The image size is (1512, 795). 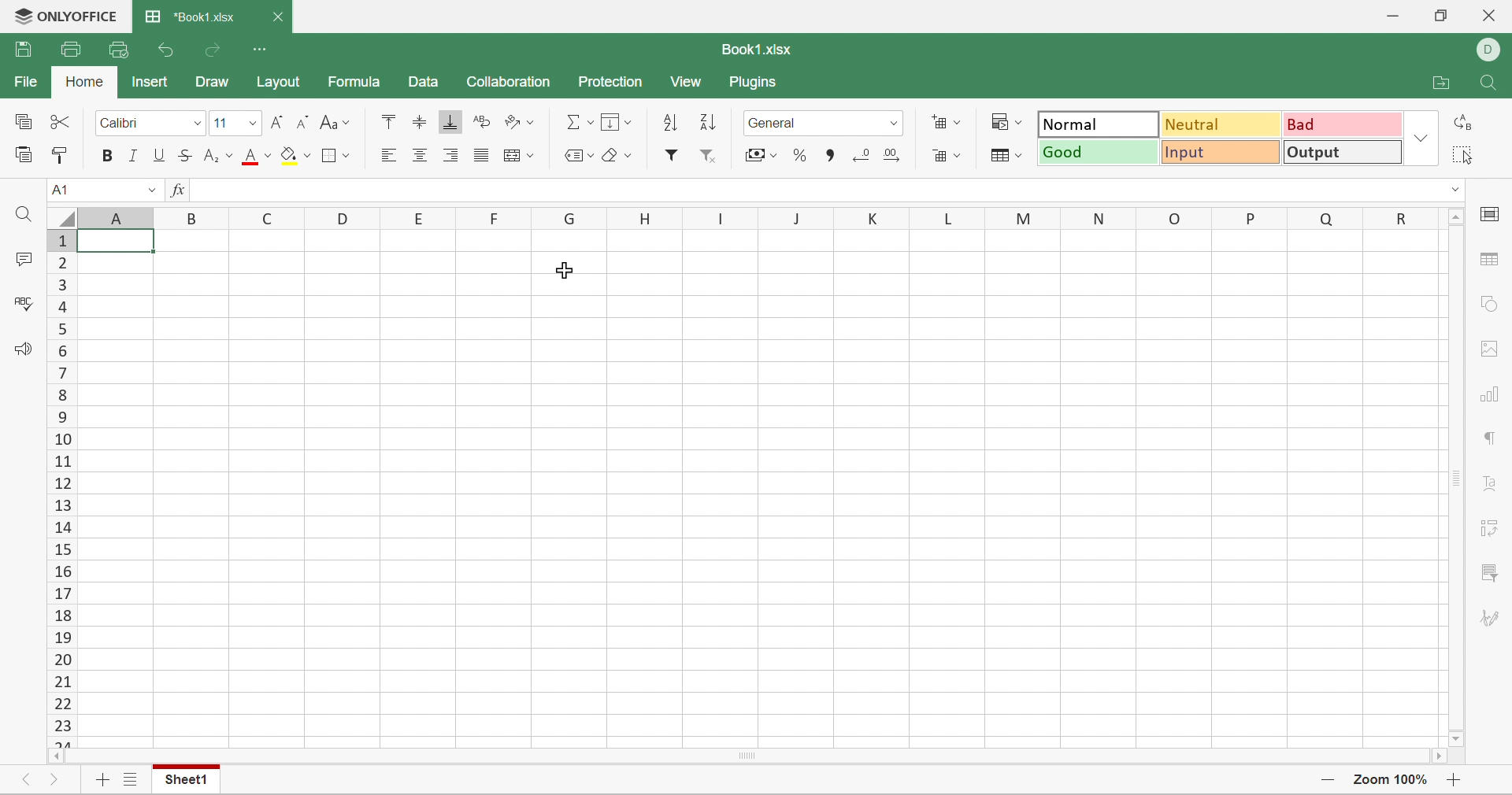 What do you see at coordinates (1456, 216) in the screenshot?
I see `Scroll up` at bounding box center [1456, 216].